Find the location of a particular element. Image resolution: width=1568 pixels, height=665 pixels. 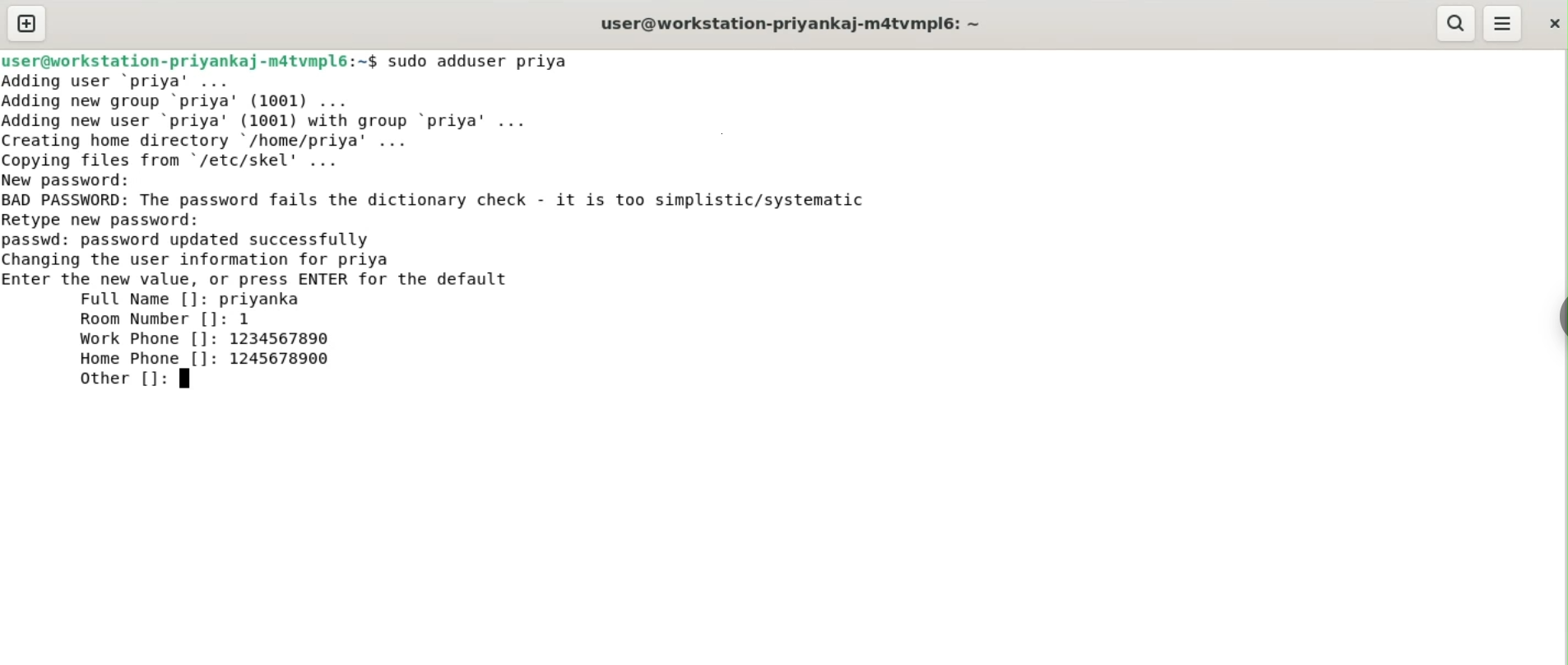

new tab is located at coordinates (26, 23).